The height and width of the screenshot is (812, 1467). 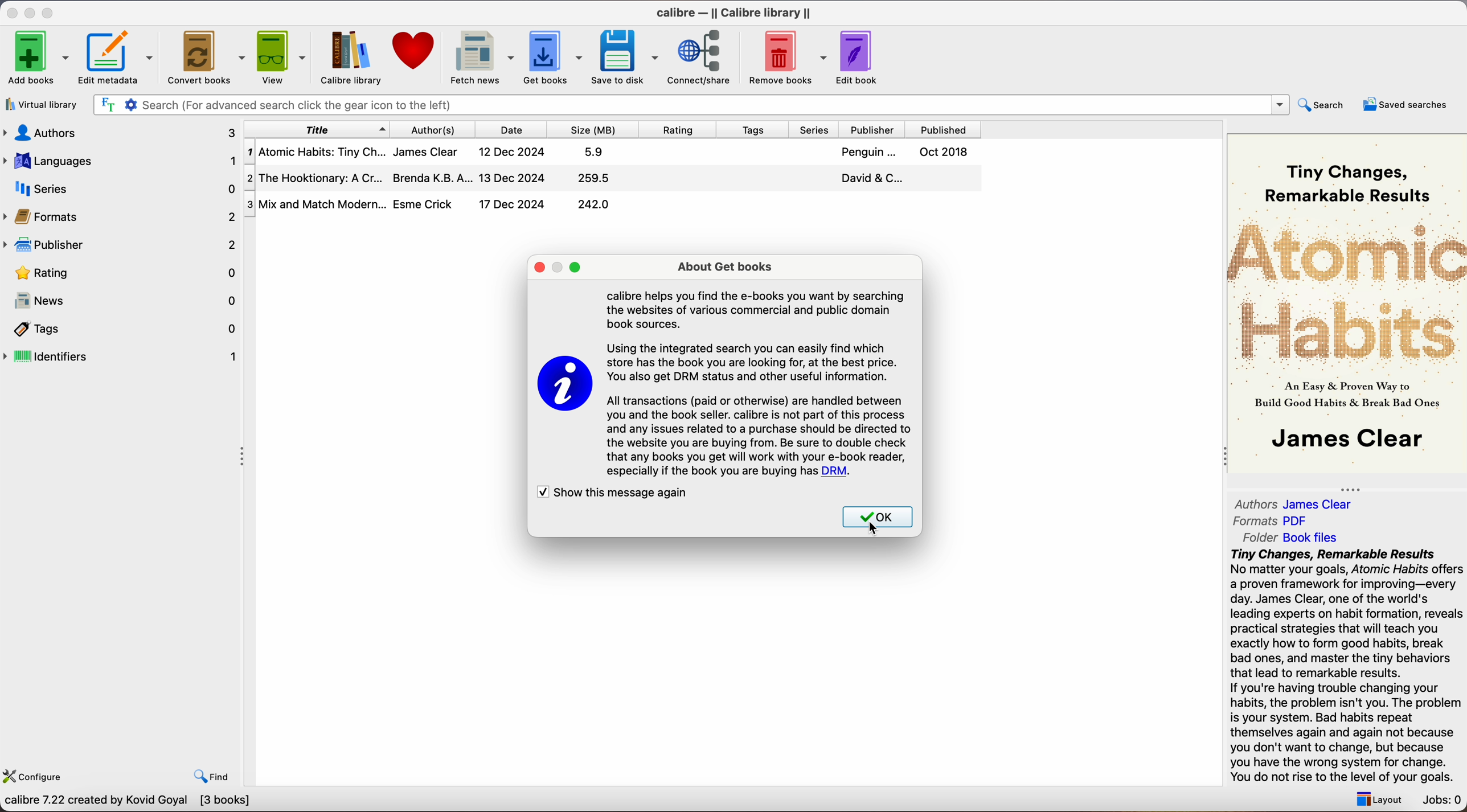 What do you see at coordinates (511, 204) in the screenshot?
I see `17 Dec 2024` at bounding box center [511, 204].